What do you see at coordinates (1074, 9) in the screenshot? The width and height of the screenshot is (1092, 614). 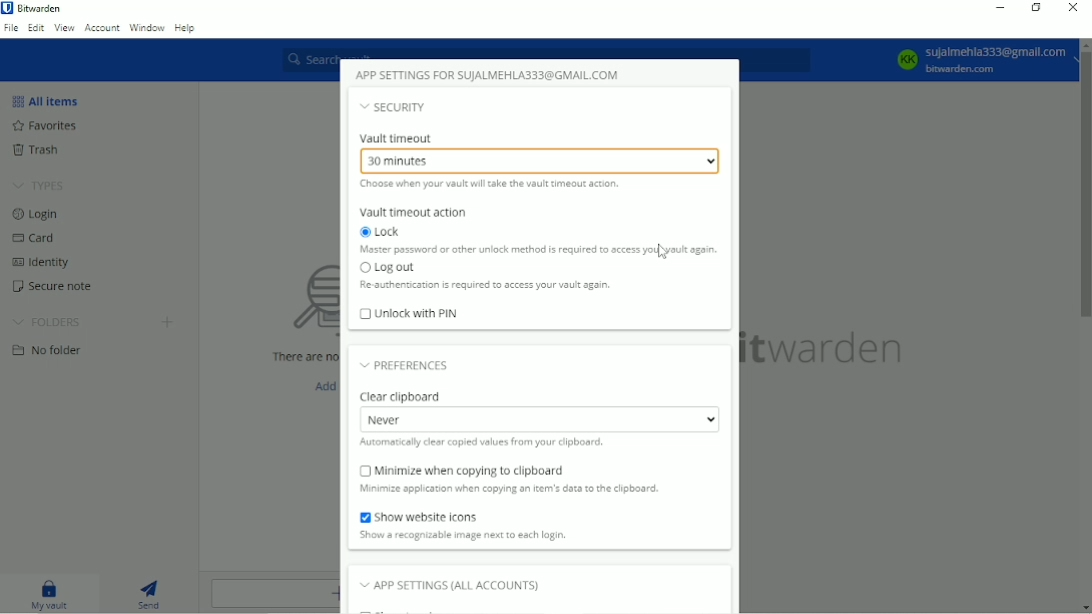 I see `Close` at bounding box center [1074, 9].